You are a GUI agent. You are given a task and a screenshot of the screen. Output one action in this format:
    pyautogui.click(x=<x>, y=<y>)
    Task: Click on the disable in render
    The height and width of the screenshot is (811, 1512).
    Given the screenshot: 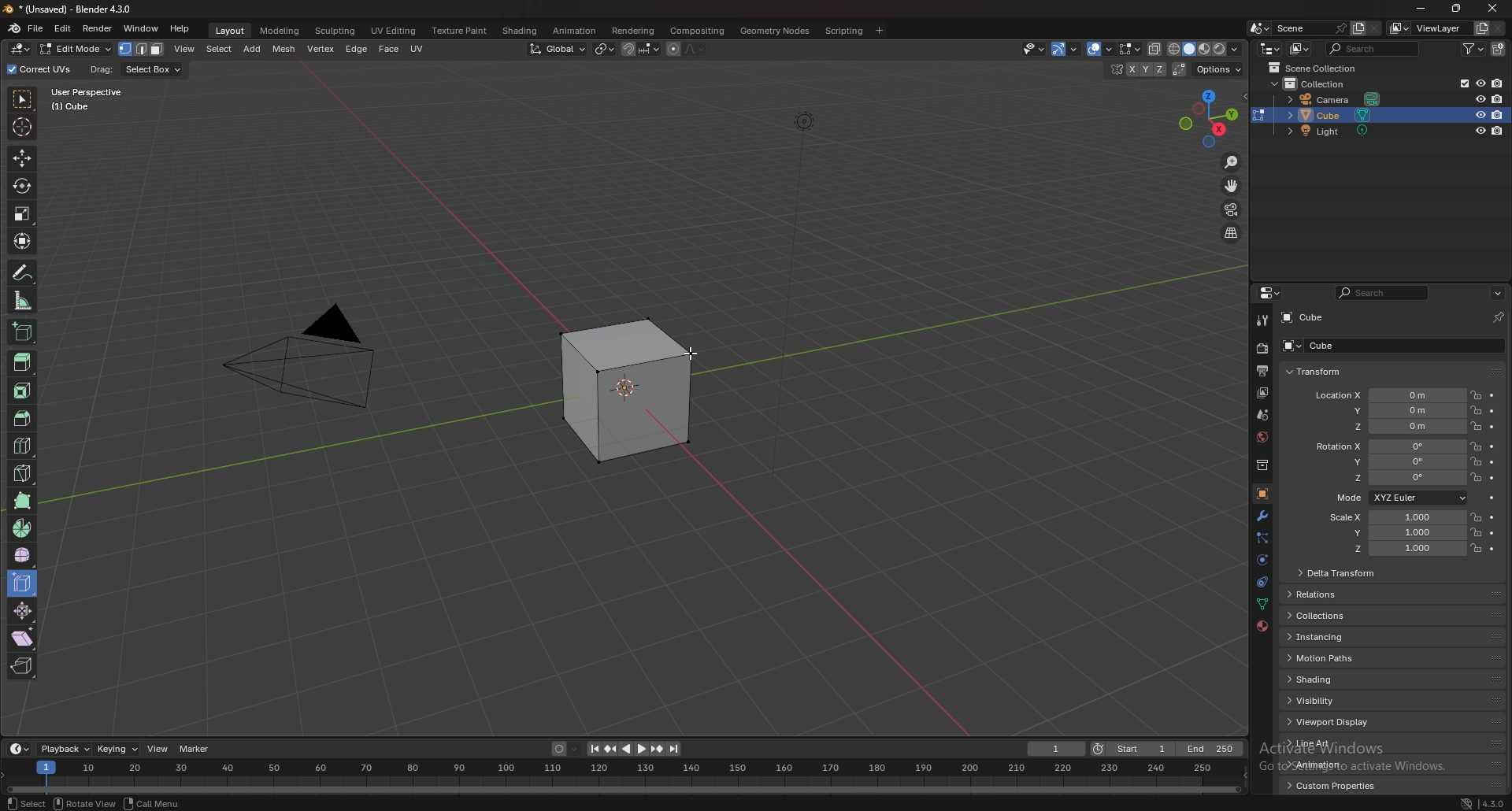 What is the action you would take?
    pyautogui.click(x=1498, y=131)
    